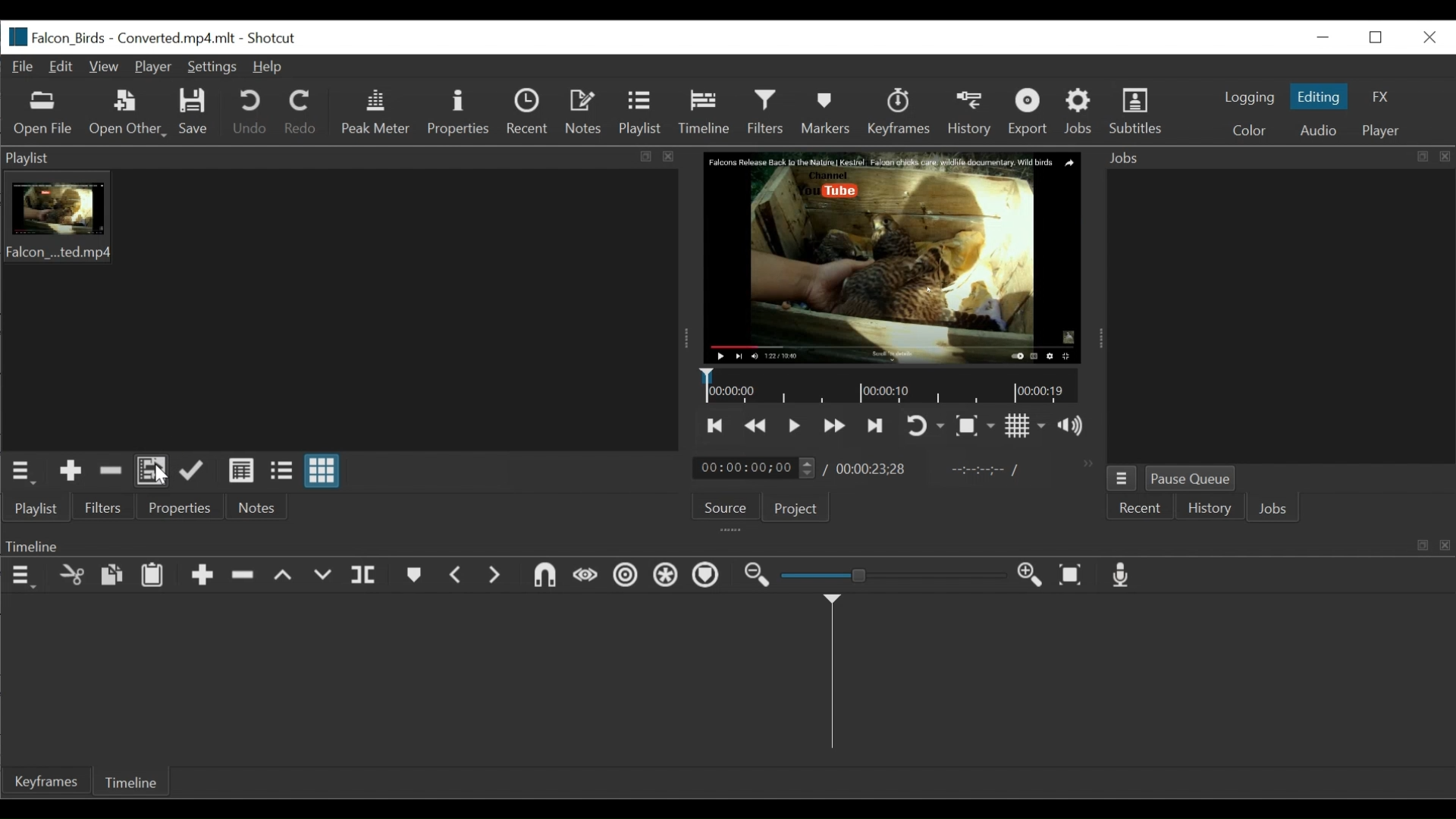 Image resolution: width=1456 pixels, height=819 pixels. Describe the element at coordinates (1385, 132) in the screenshot. I see `player` at that location.